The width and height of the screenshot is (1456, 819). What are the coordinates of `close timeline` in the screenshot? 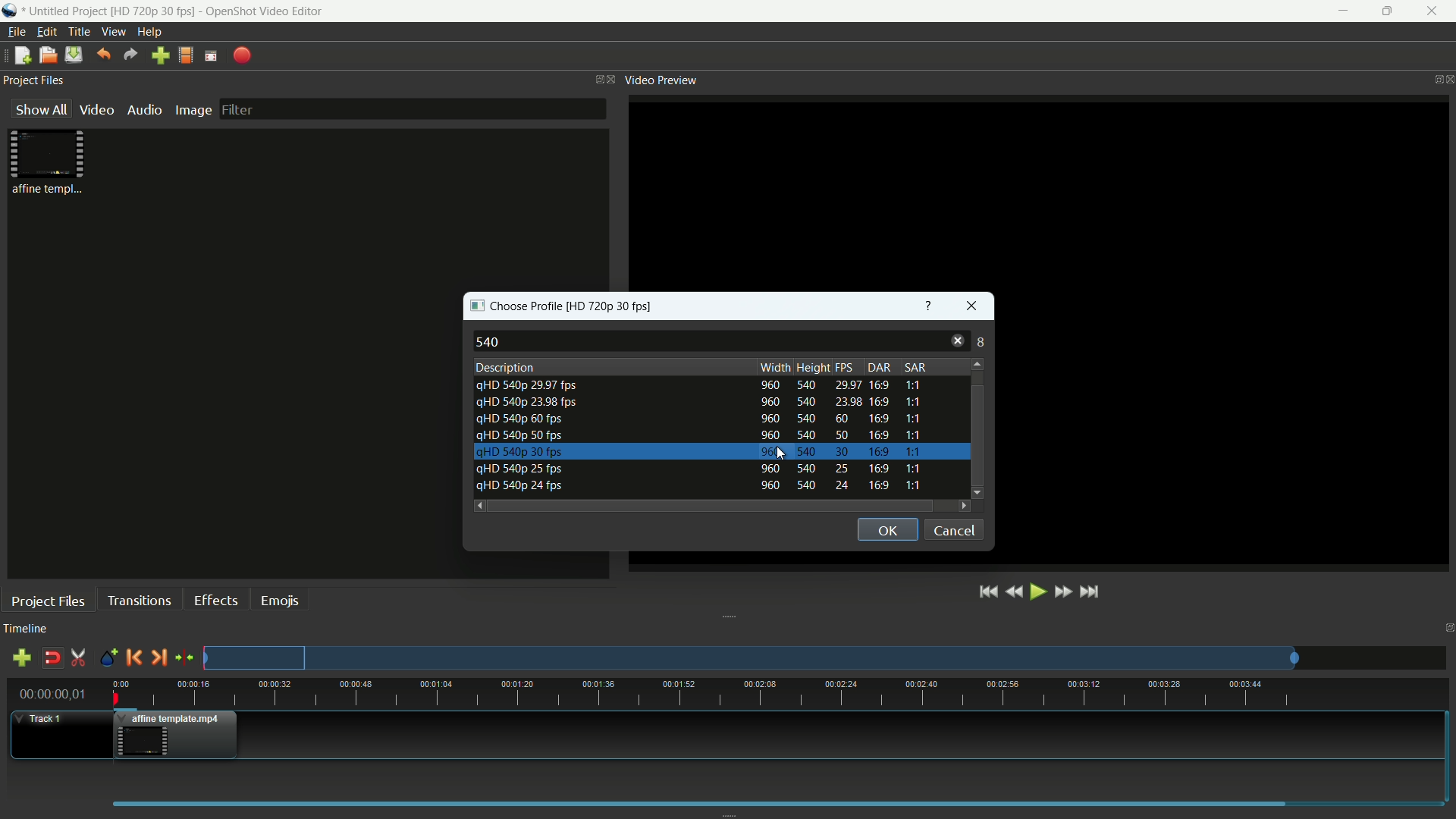 It's located at (1447, 629).